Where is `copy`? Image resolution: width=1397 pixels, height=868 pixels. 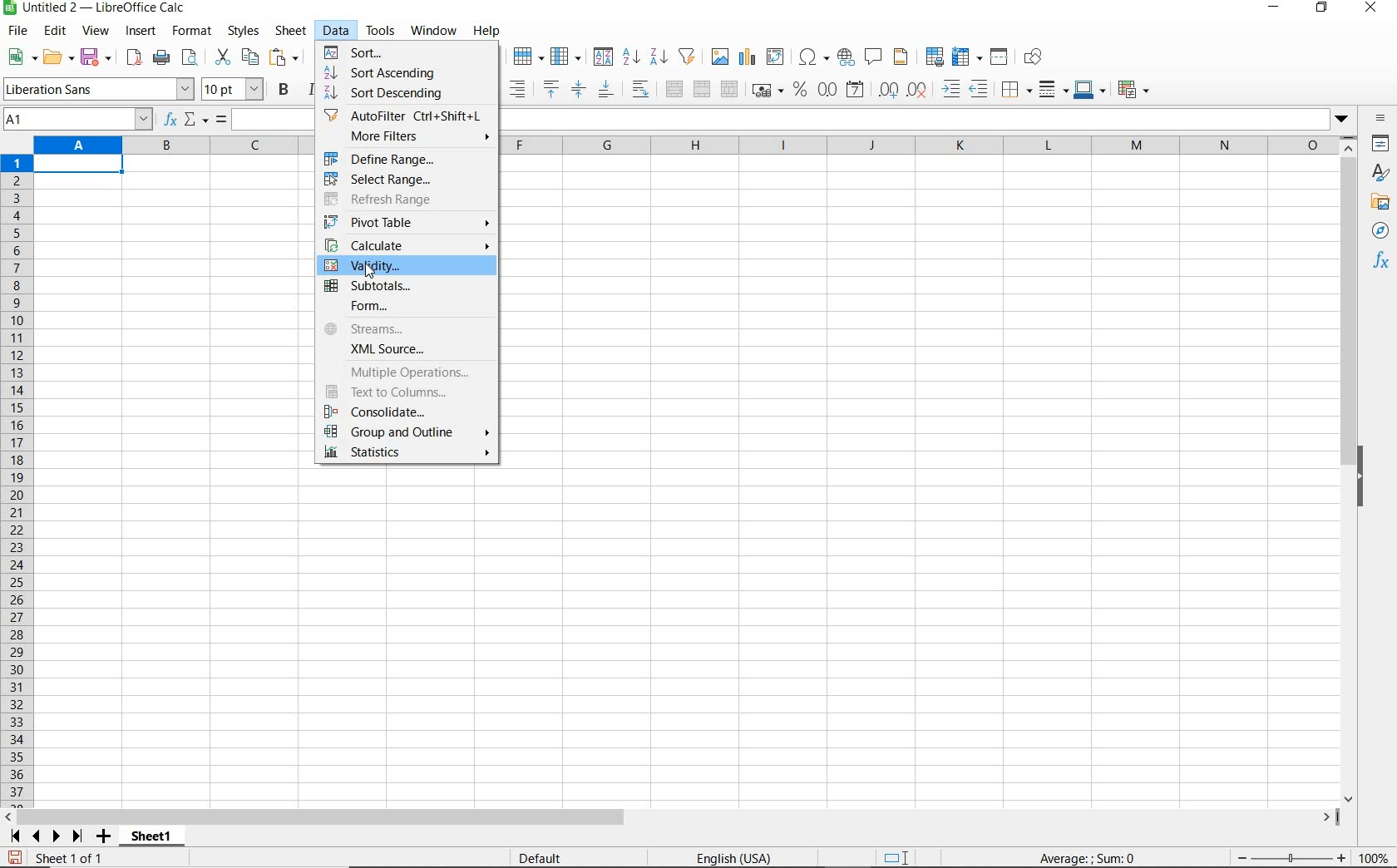 copy is located at coordinates (251, 57).